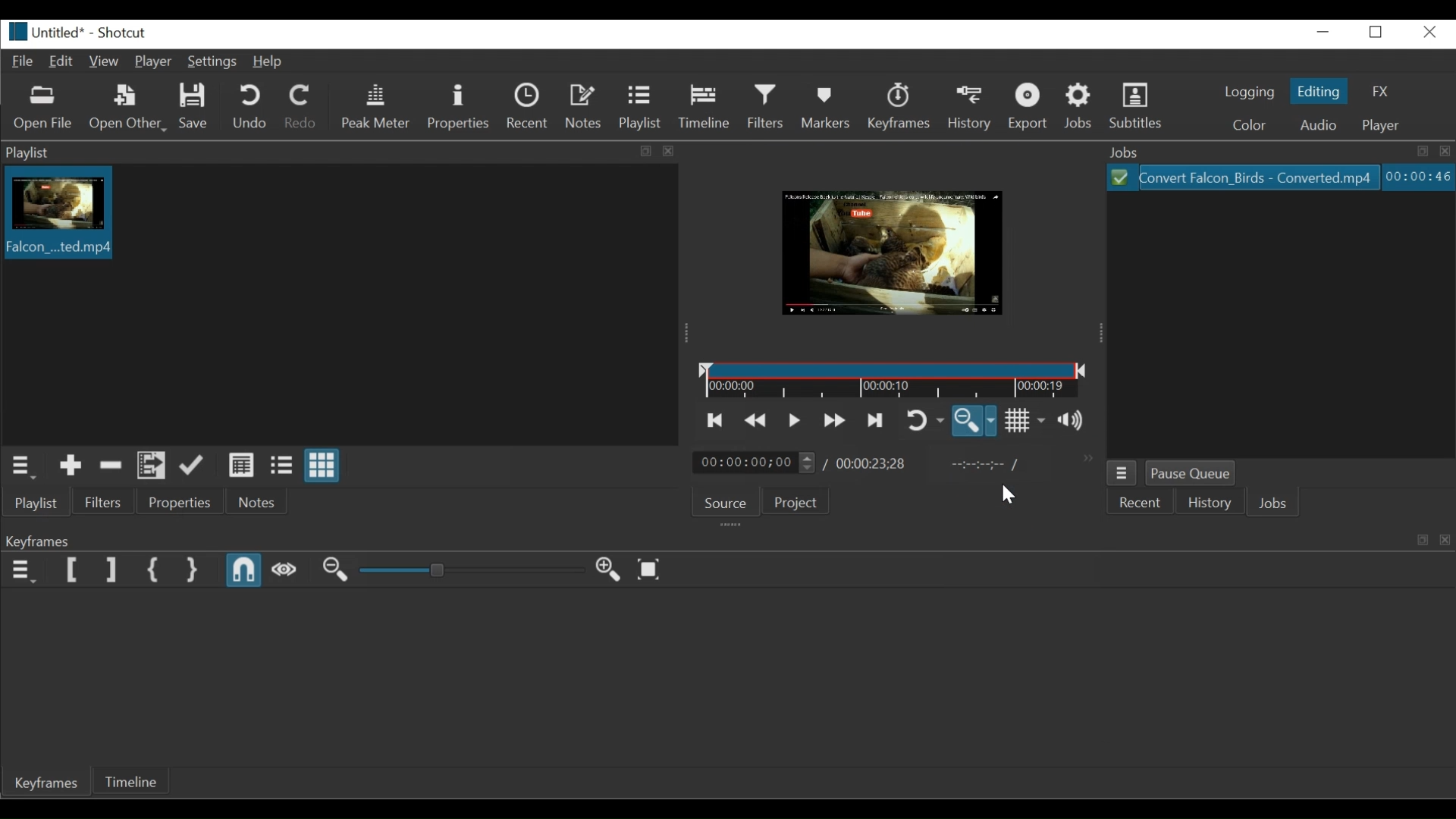  Describe the element at coordinates (1275, 152) in the screenshot. I see `Jobs Panel` at that location.